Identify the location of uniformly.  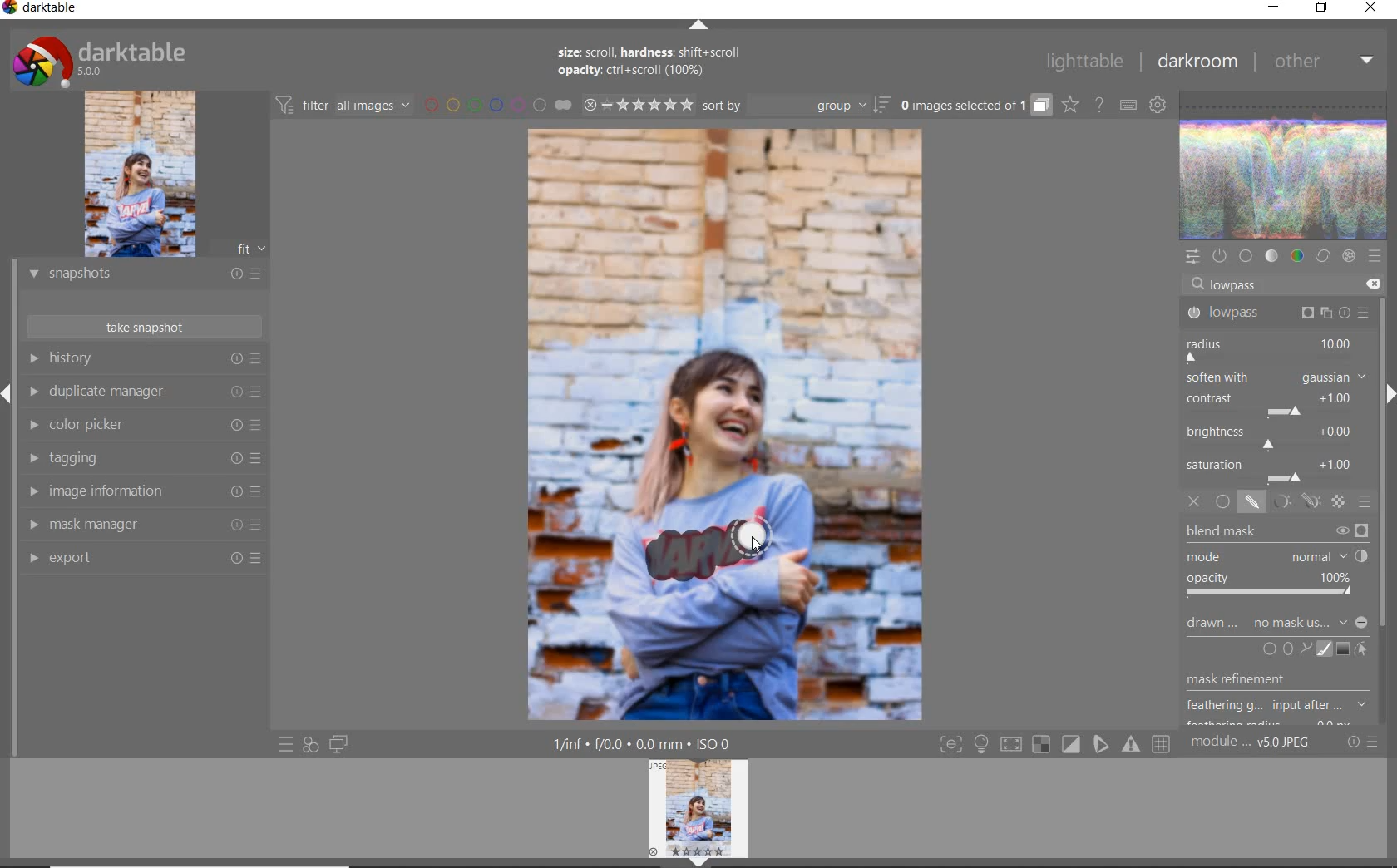
(1222, 502).